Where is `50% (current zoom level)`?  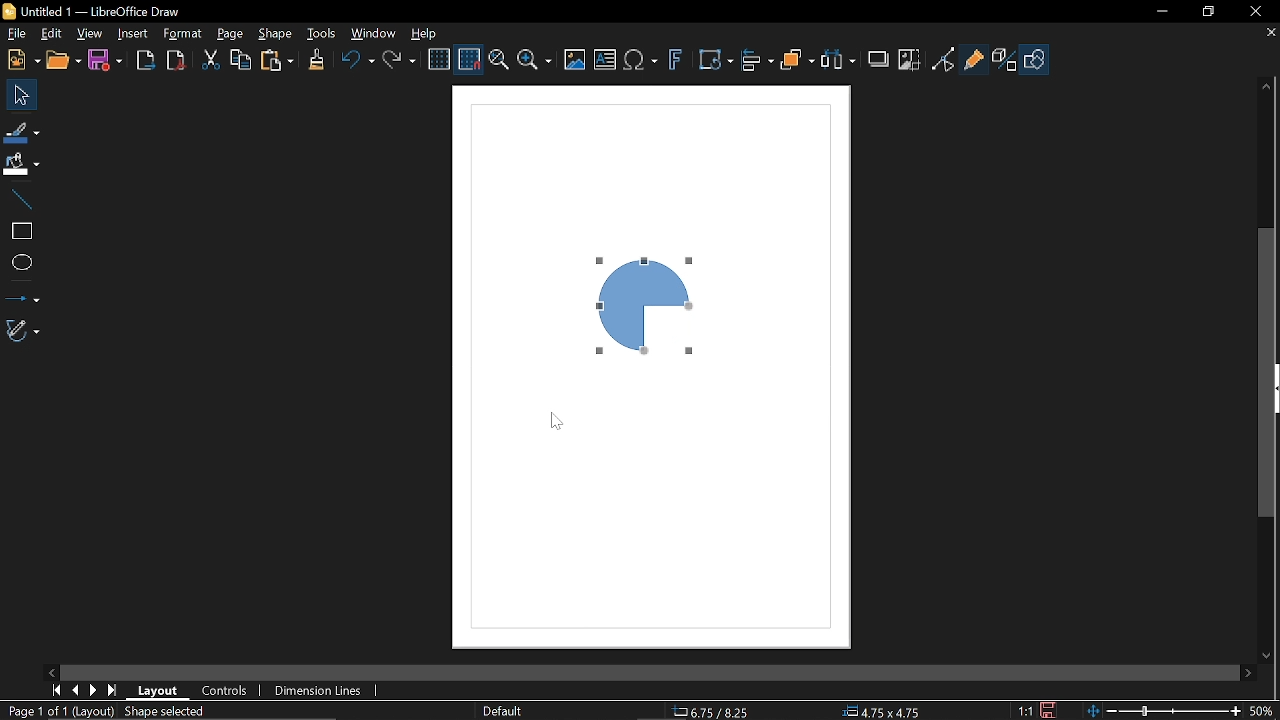 50% (current zoom level) is located at coordinates (1262, 709).